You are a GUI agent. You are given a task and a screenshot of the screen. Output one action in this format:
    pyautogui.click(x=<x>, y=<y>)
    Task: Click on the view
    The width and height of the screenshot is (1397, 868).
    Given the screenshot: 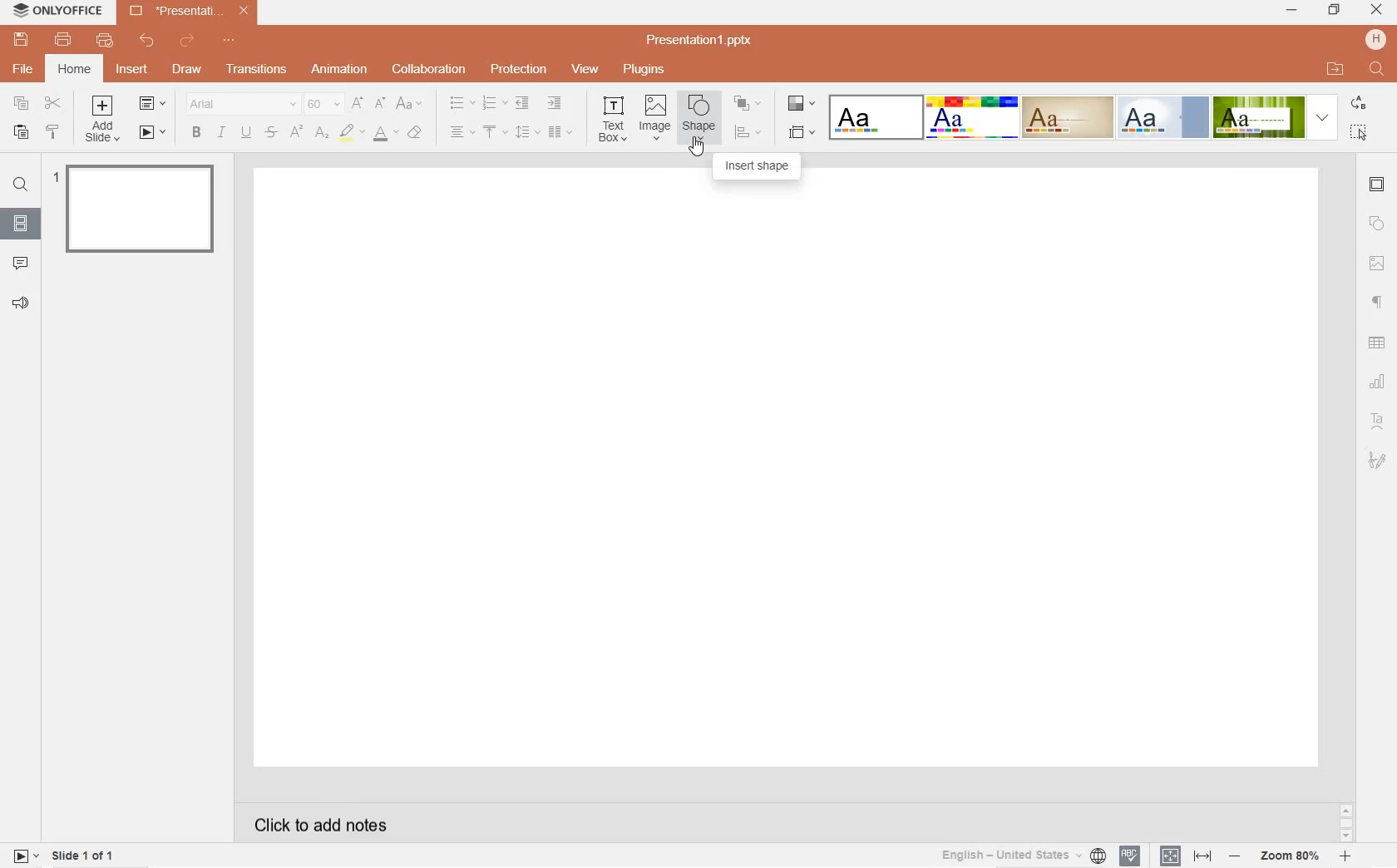 What is the action you would take?
    pyautogui.click(x=585, y=70)
    